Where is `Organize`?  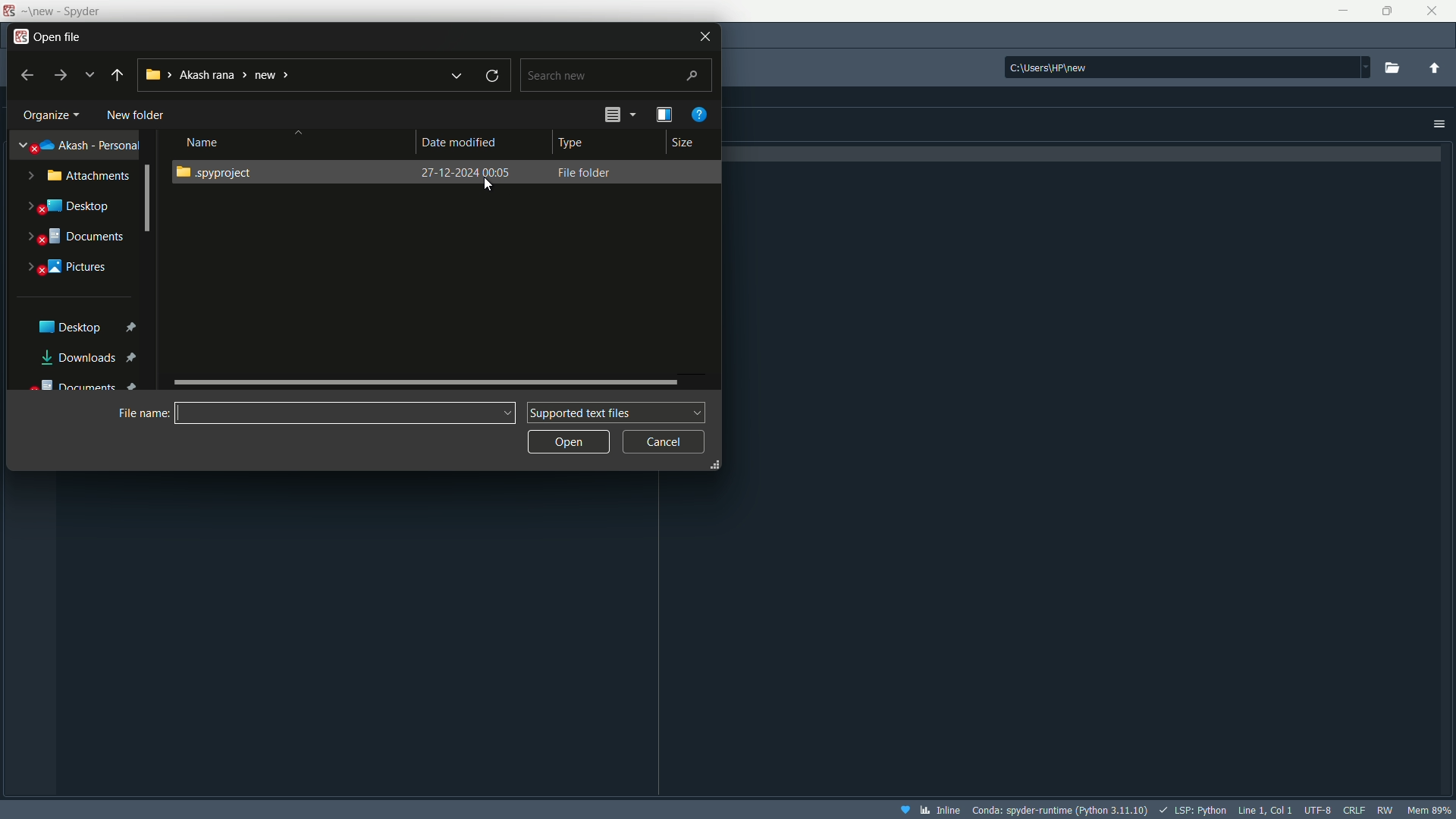
Organize is located at coordinates (52, 115).